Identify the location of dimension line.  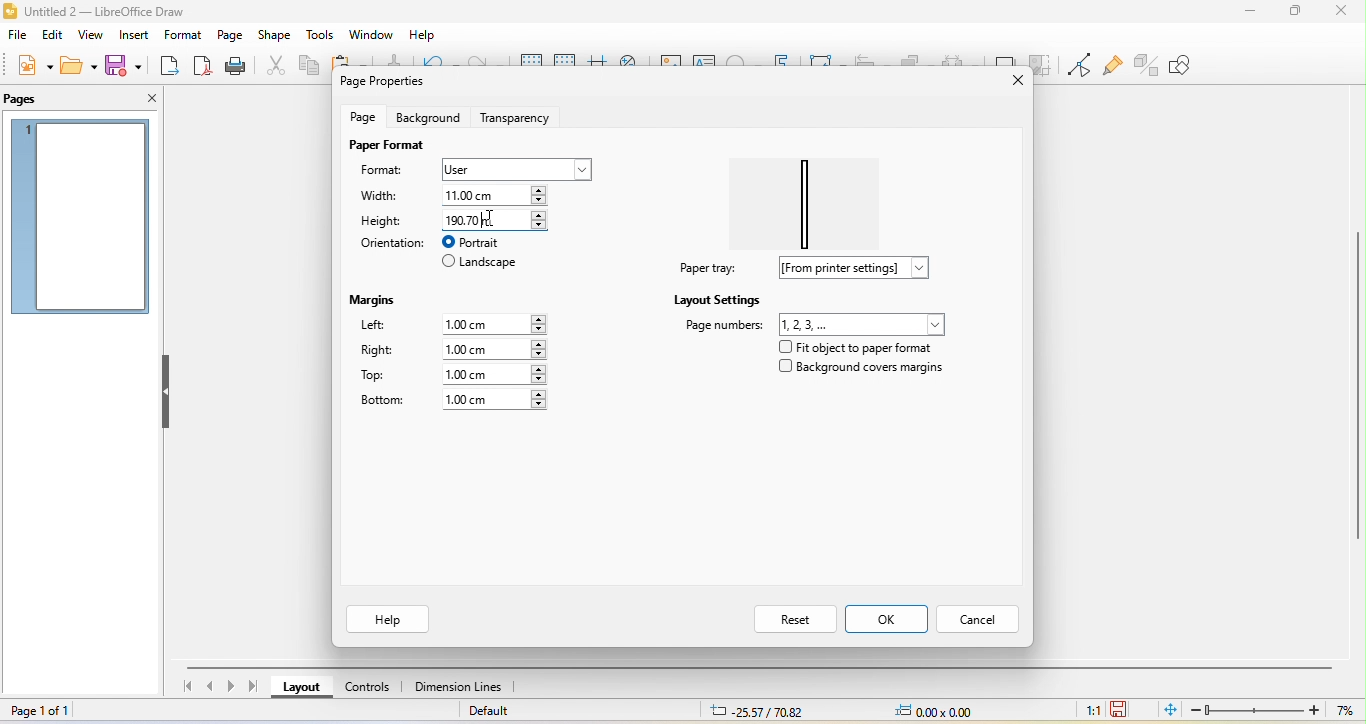
(459, 688).